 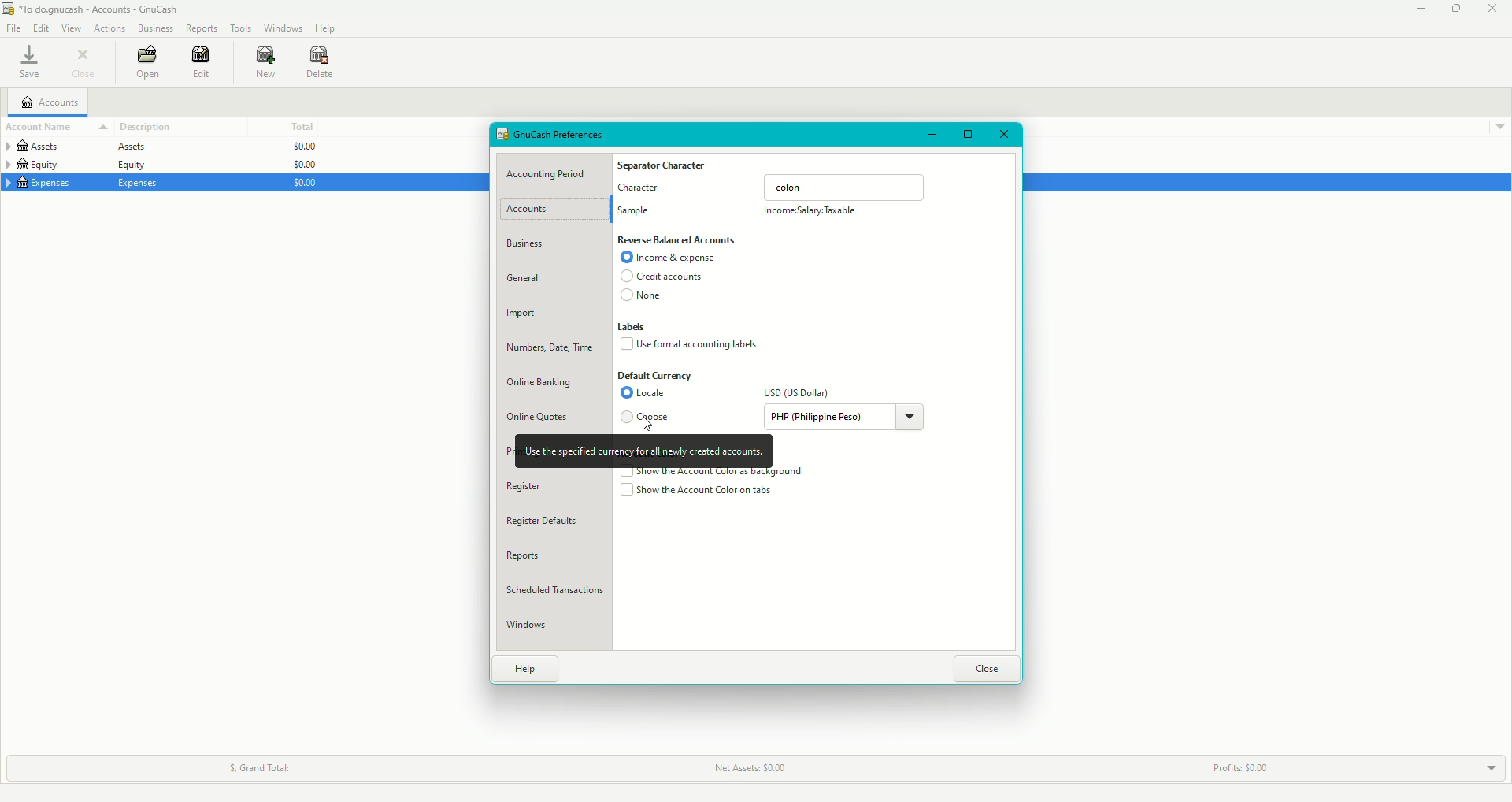 What do you see at coordinates (934, 135) in the screenshot?
I see `Minimize` at bounding box center [934, 135].